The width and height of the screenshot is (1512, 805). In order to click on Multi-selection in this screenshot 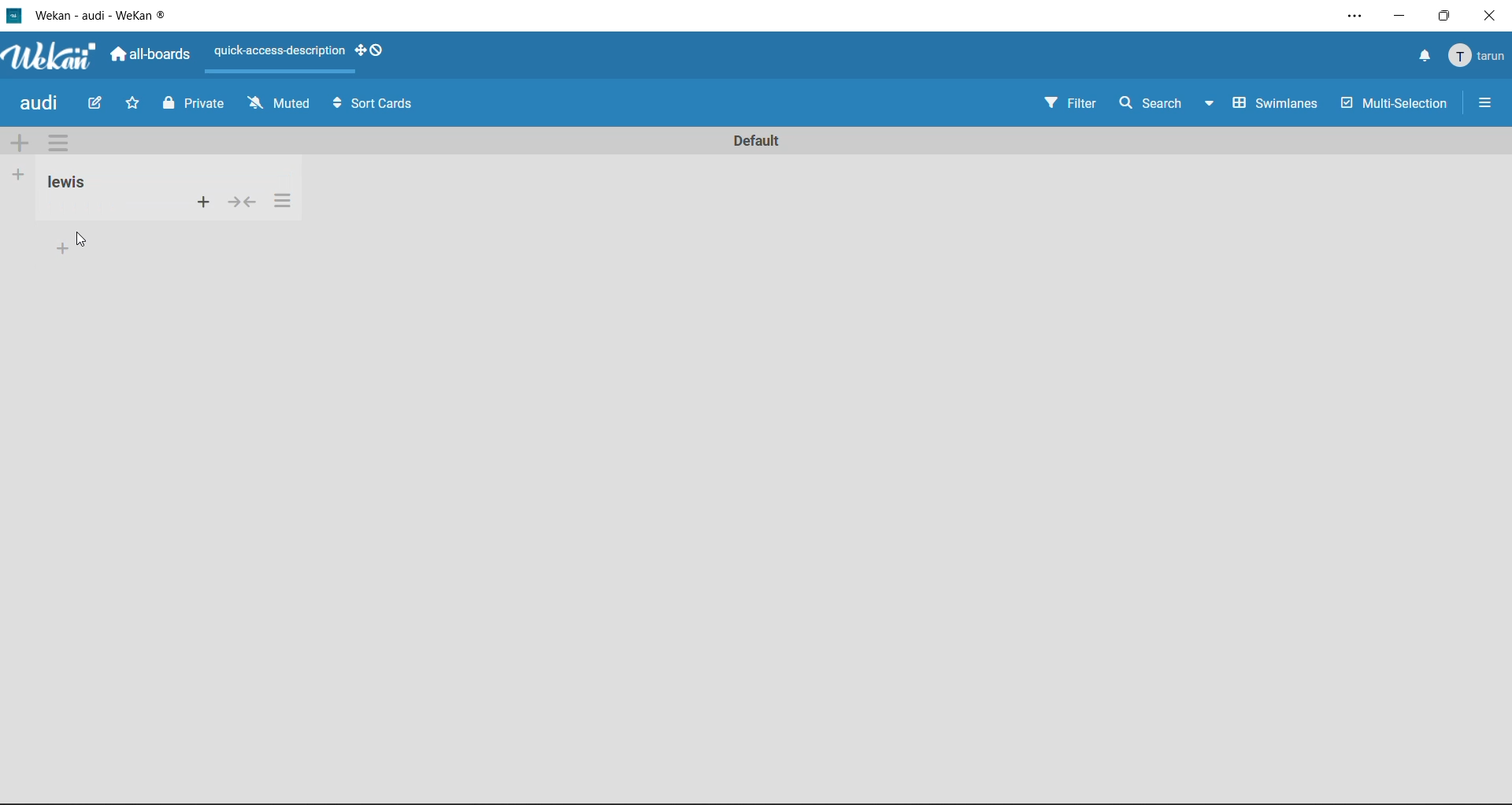, I will do `click(1397, 106)`.